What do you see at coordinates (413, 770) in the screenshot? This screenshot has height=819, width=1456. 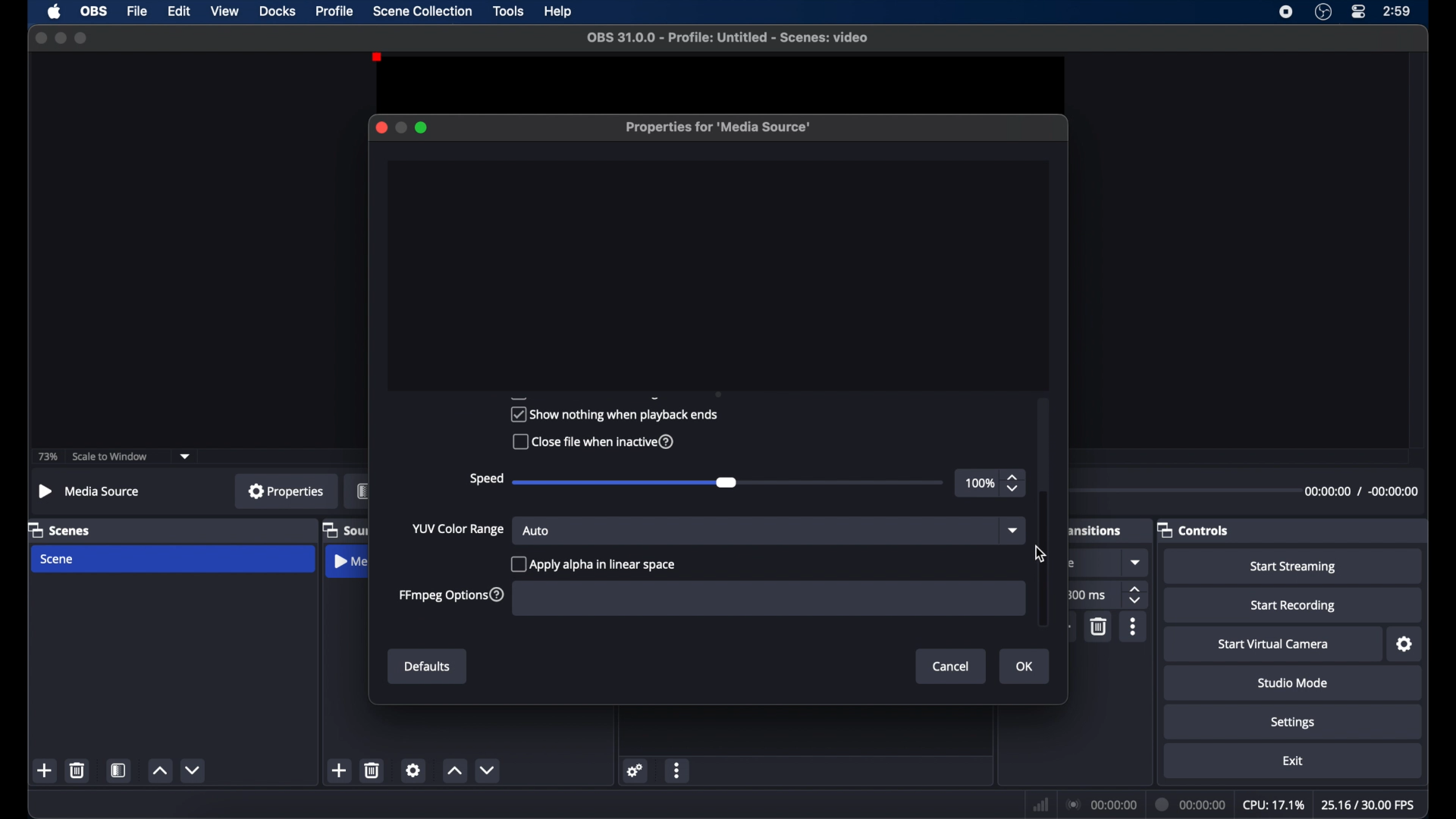 I see `settings` at bounding box center [413, 770].